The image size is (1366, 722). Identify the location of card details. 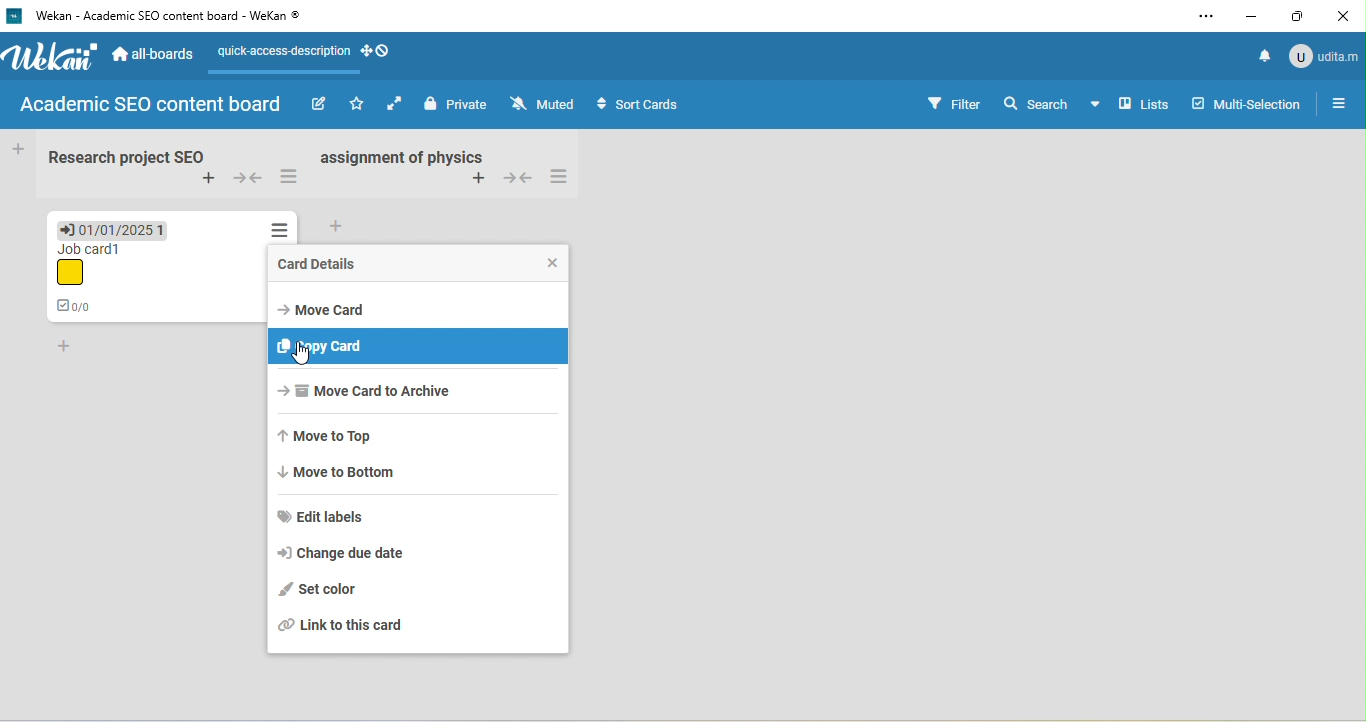
(323, 262).